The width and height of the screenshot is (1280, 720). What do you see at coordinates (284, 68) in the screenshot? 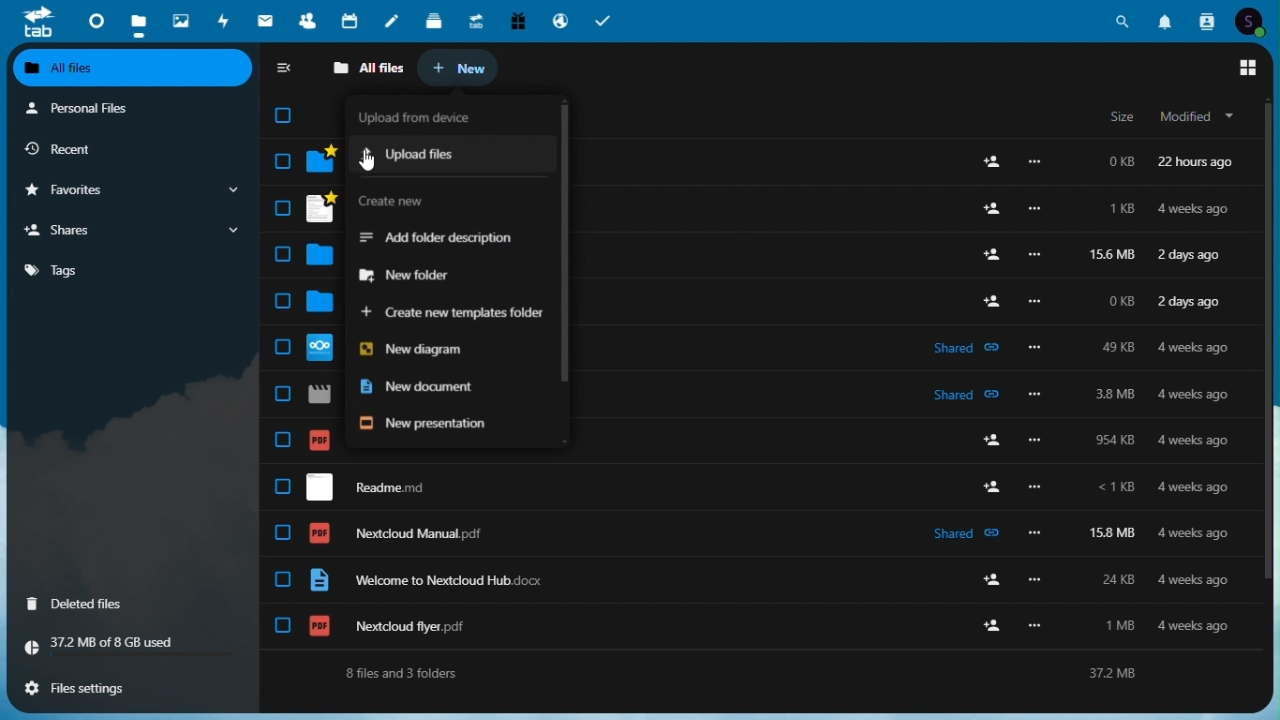
I see `Collapse side bar` at bounding box center [284, 68].